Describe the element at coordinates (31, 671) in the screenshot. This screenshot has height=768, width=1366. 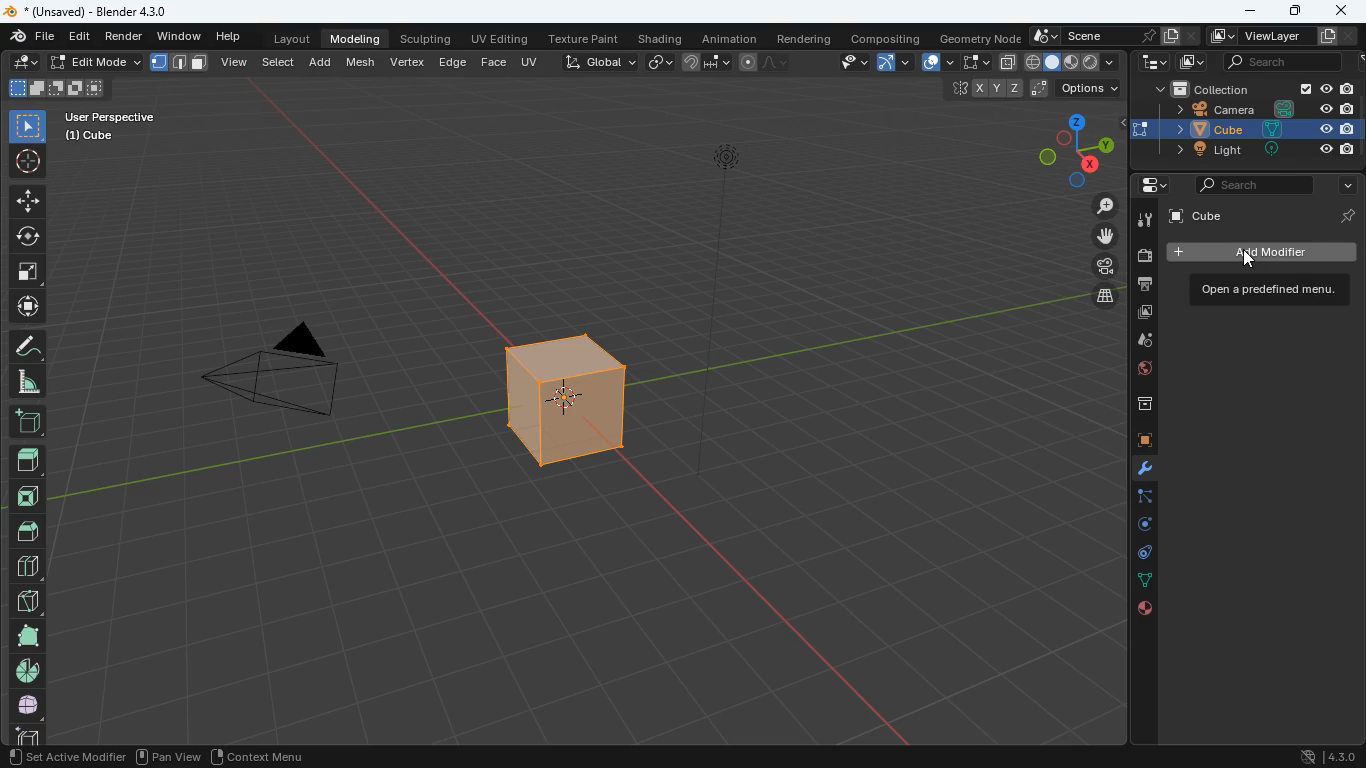
I see `pie` at that location.